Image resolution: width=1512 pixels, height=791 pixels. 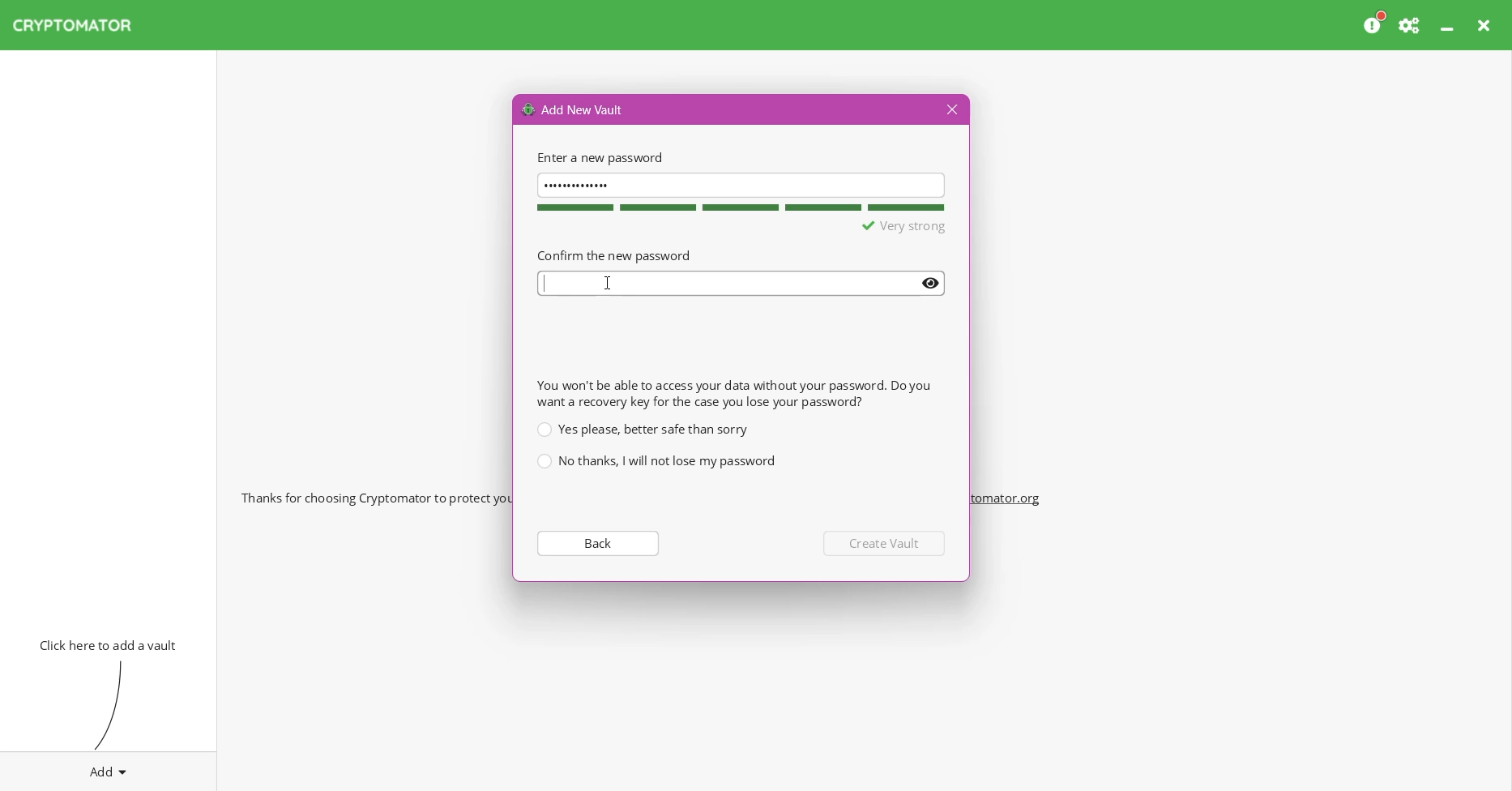 What do you see at coordinates (876, 227) in the screenshot?
I see `Use atleast 8 characters` at bounding box center [876, 227].